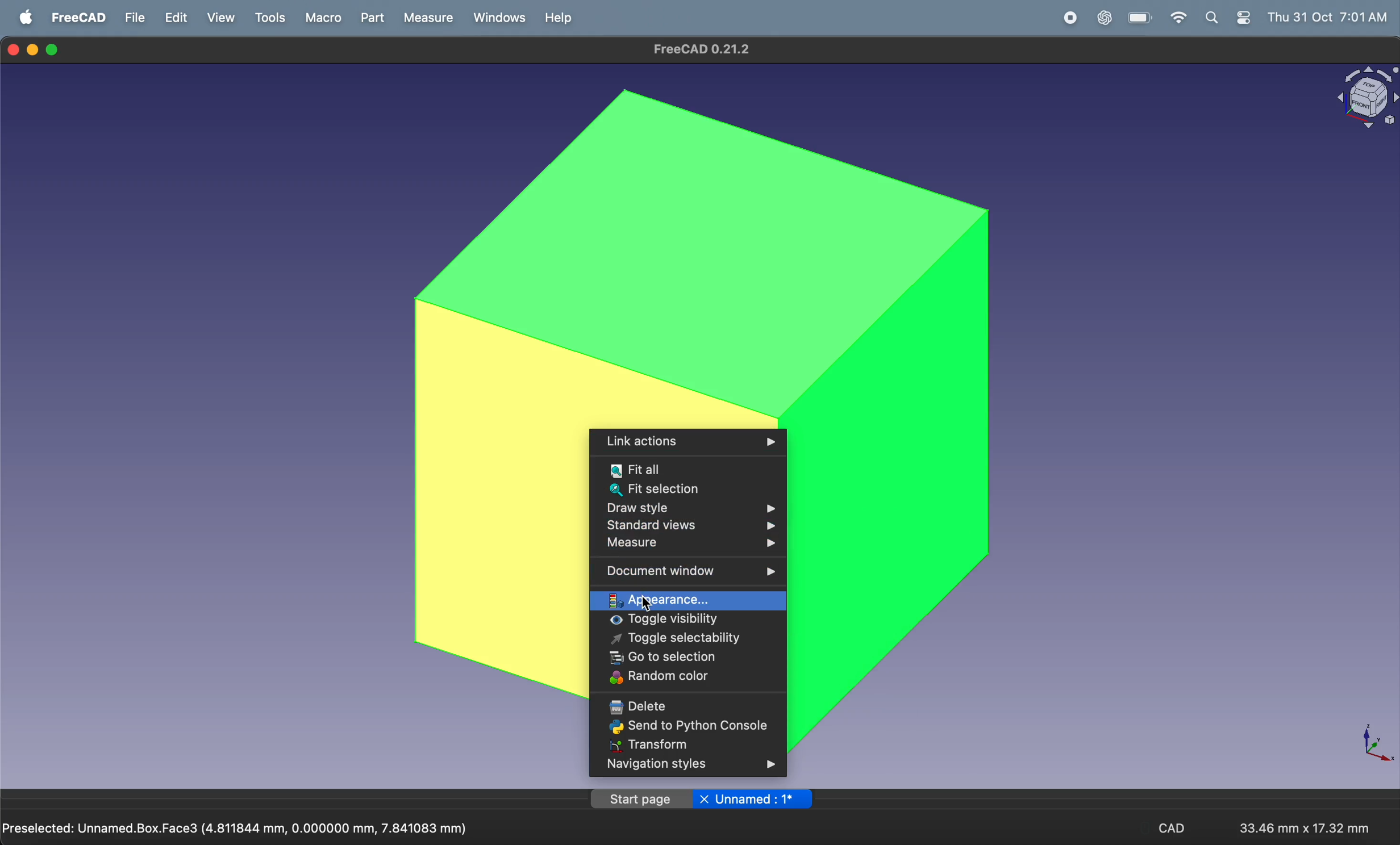  Describe the element at coordinates (1069, 19) in the screenshot. I see `record` at that location.